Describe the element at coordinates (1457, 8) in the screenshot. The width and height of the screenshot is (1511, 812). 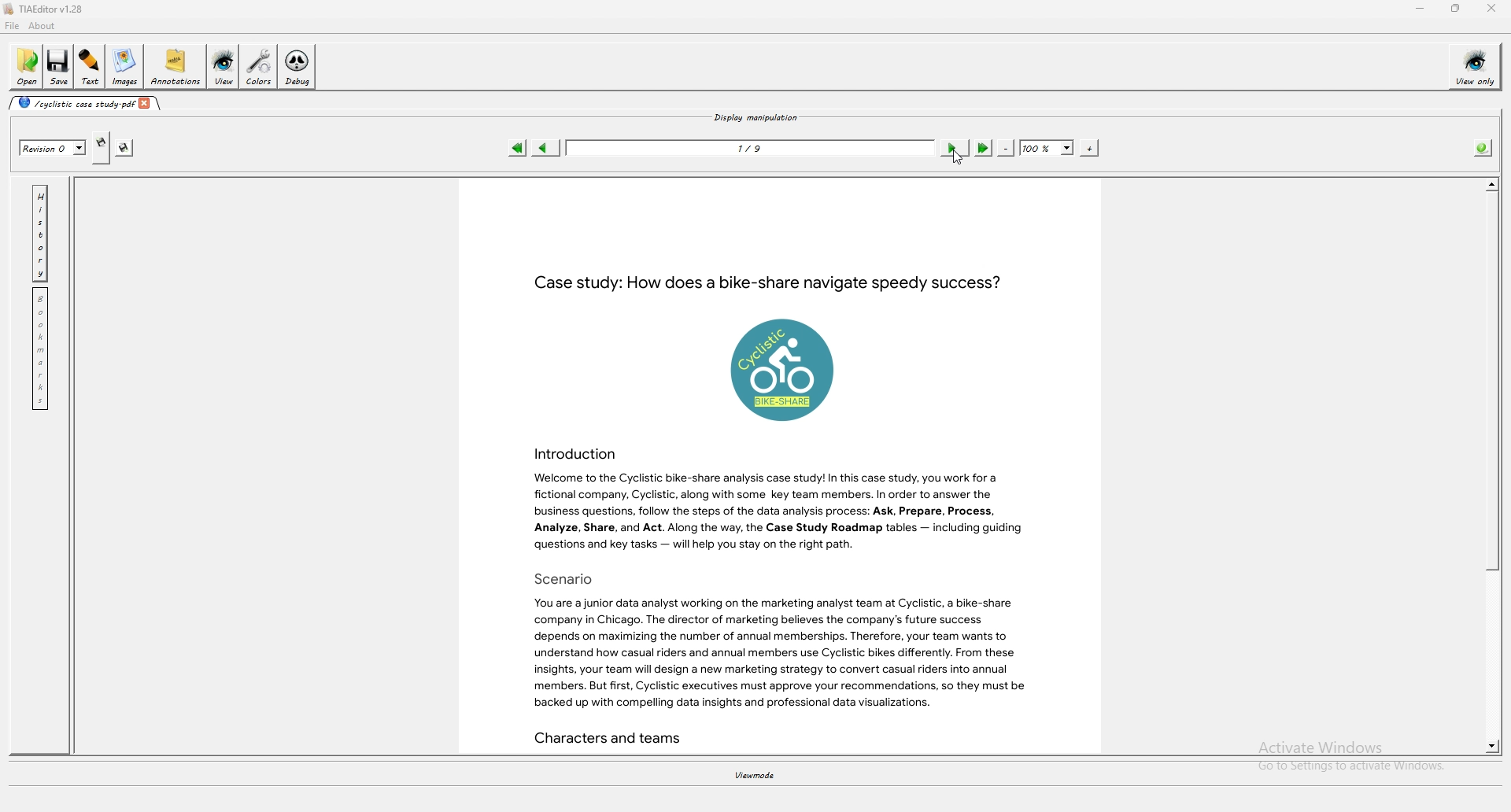
I see `resize` at that location.